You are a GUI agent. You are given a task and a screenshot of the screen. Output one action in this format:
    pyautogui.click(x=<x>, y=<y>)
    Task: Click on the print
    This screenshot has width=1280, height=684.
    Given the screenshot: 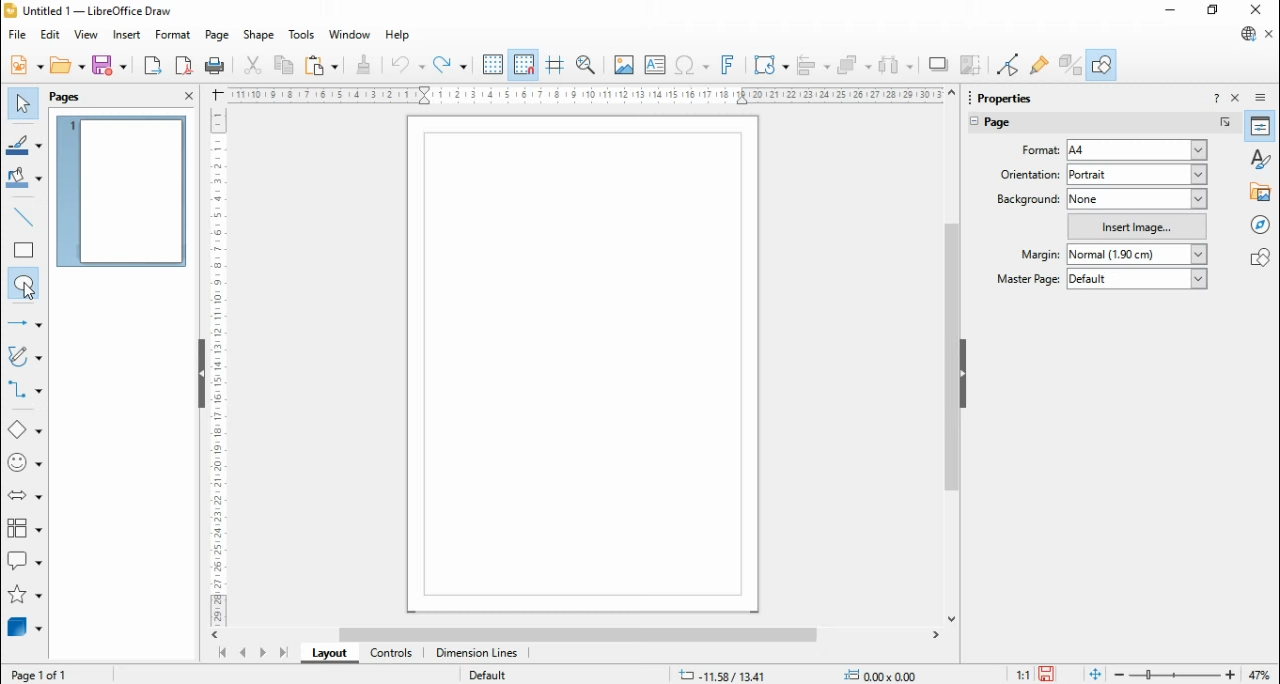 What is the action you would take?
    pyautogui.click(x=214, y=65)
    